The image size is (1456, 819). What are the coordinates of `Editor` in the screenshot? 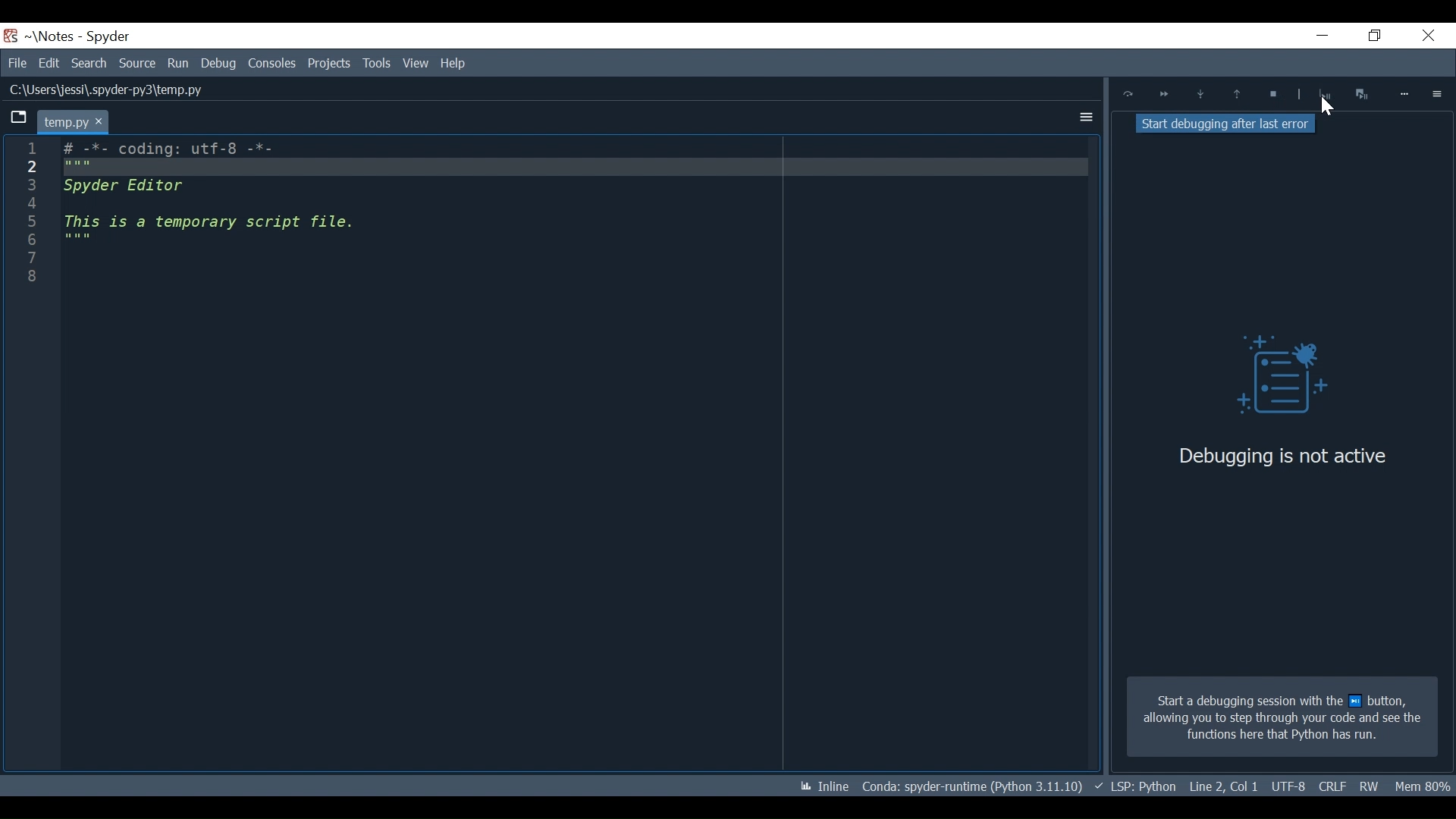 It's located at (268, 196).